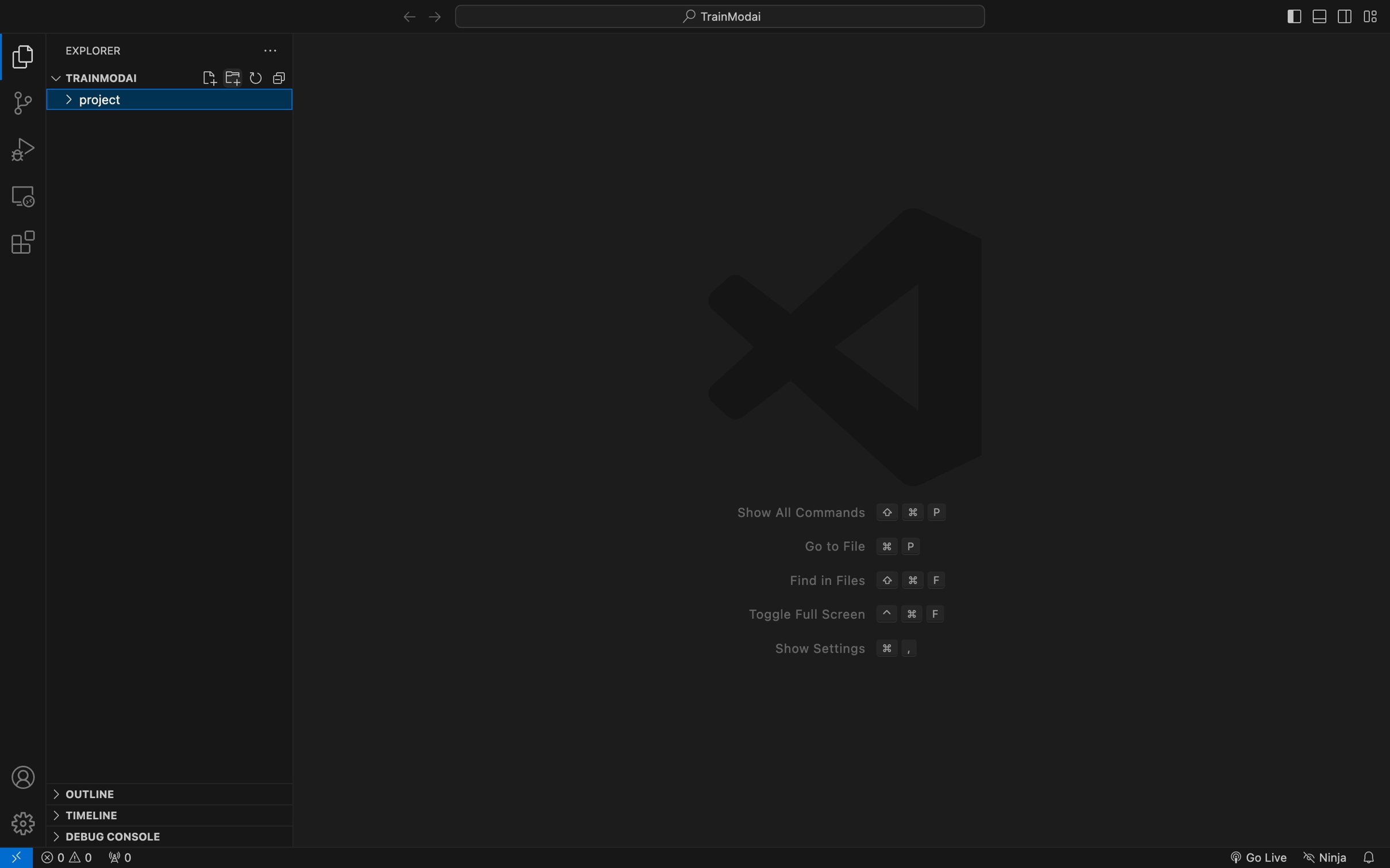 The height and width of the screenshot is (868, 1390). I want to click on Logo, so click(846, 343).